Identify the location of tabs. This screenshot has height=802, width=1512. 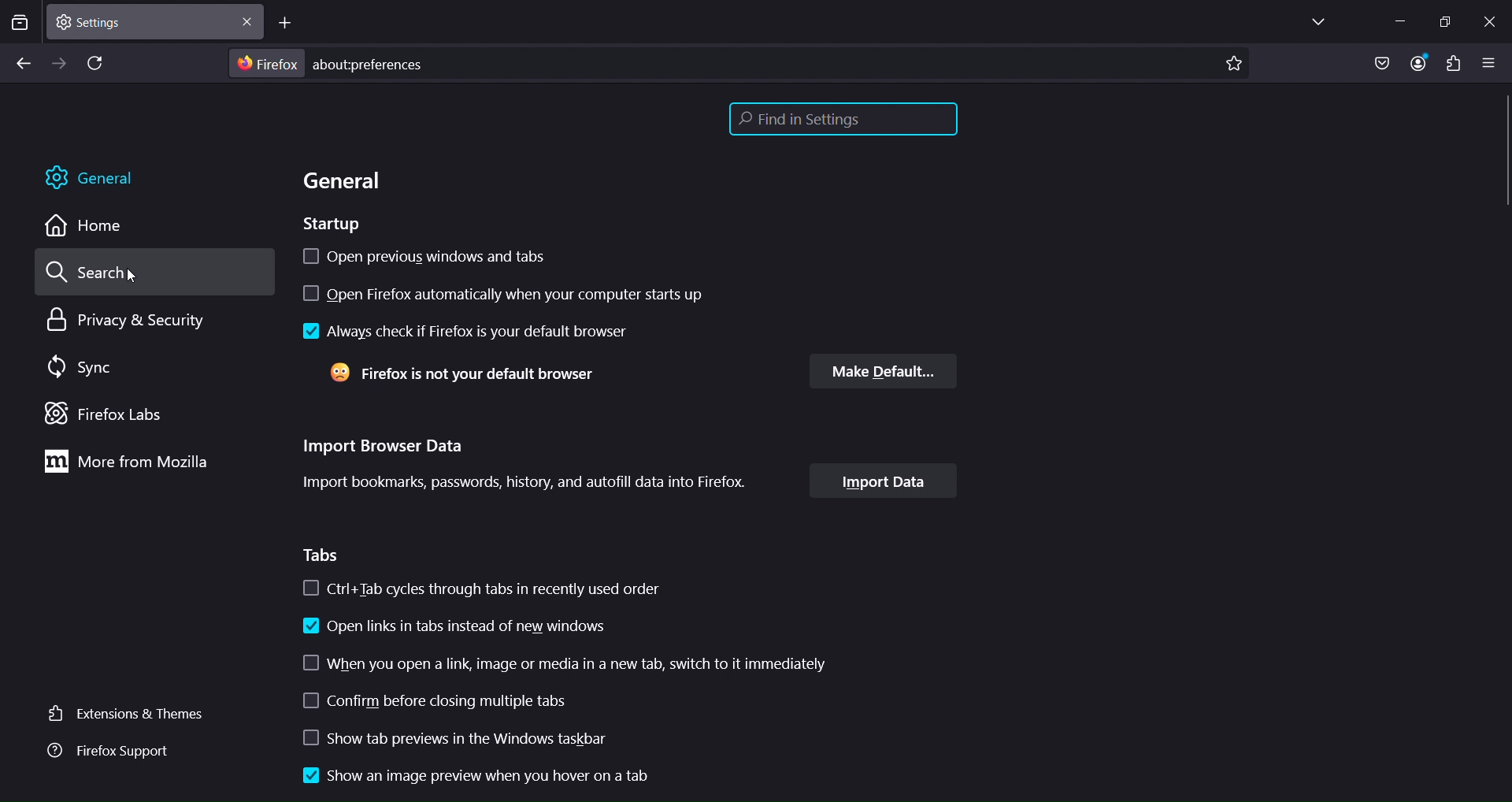
(323, 555).